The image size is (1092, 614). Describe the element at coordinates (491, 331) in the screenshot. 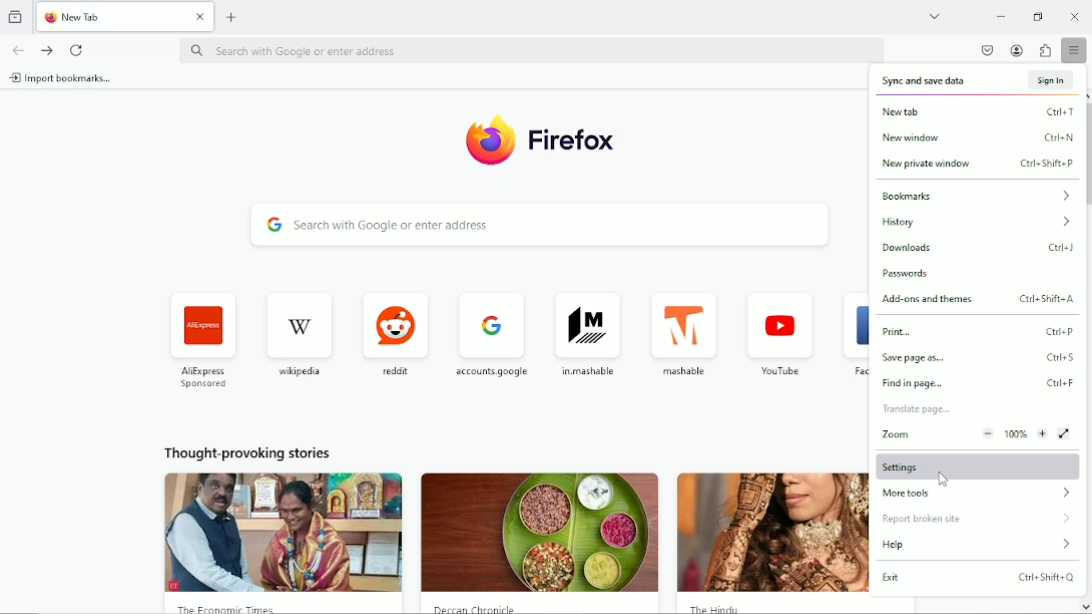

I see `accounts goggle` at that location.